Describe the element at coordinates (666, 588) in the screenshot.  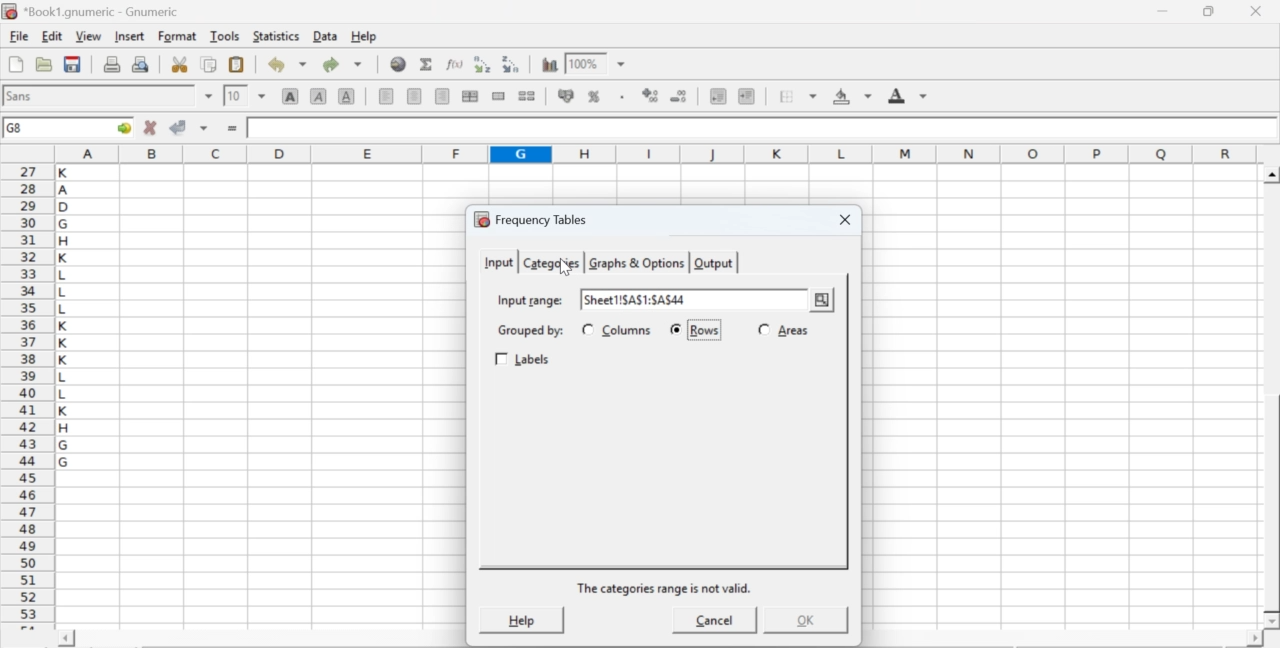
I see `the categories range is not valid.` at that location.